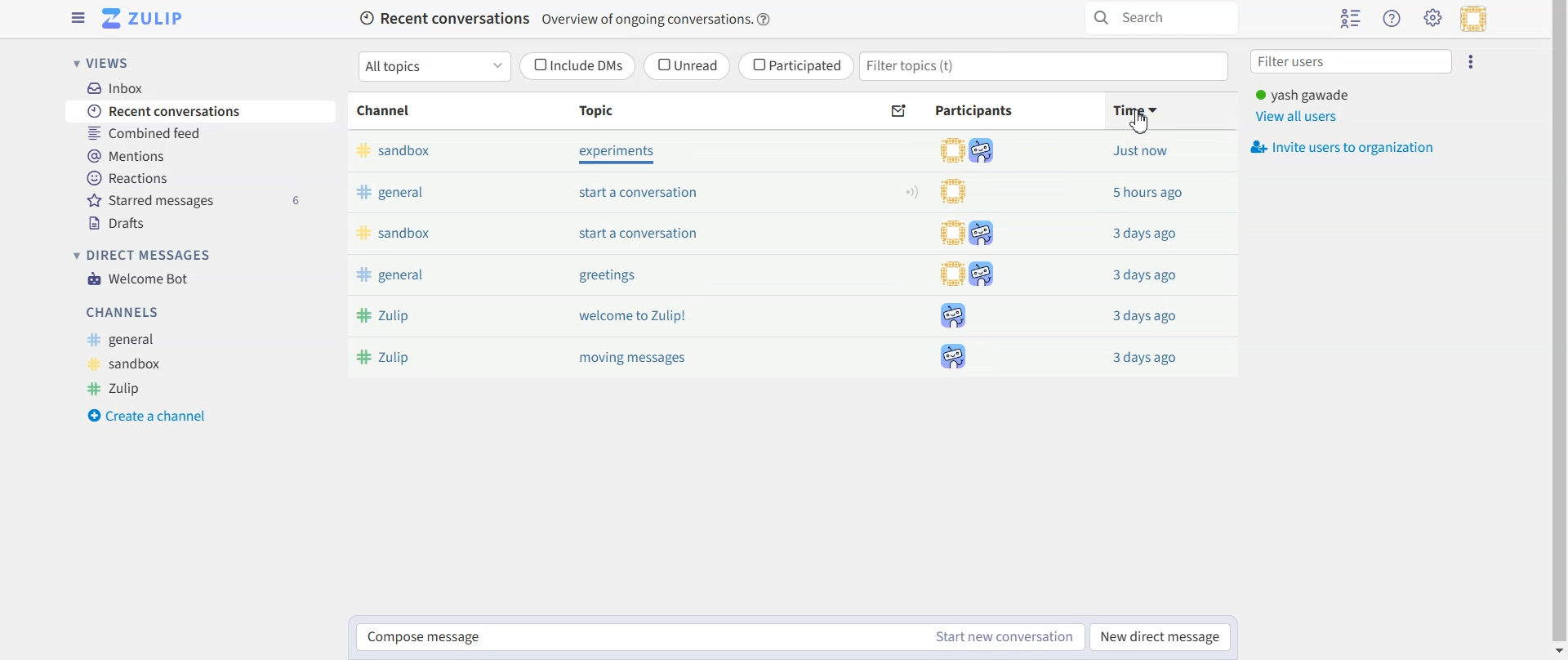 The image size is (1568, 660). Describe the element at coordinates (721, 638) in the screenshot. I see `Compose message Start new conversation` at that location.